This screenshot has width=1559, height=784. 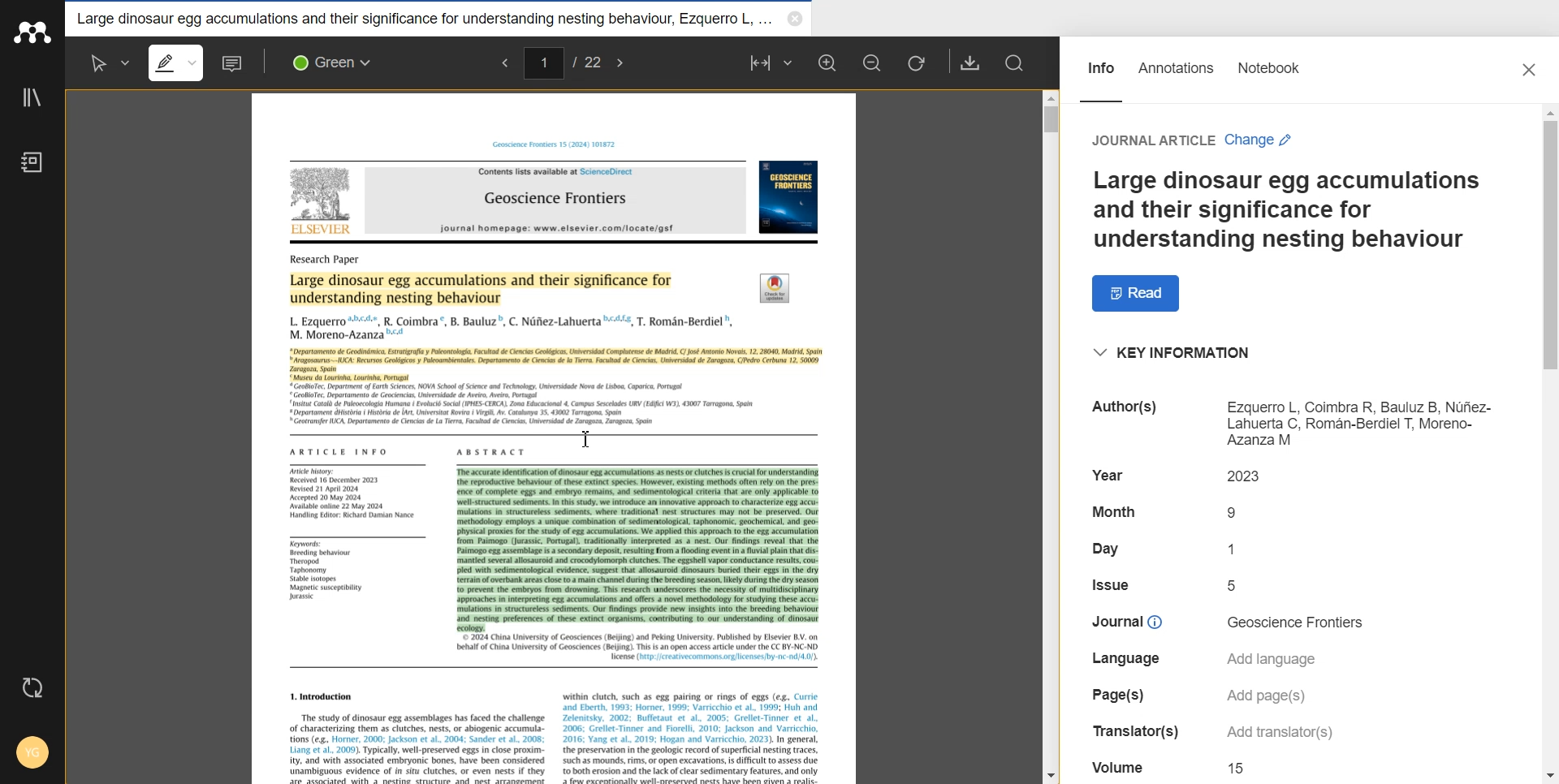 What do you see at coordinates (1250, 476) in the screenshot?
I see `text` at bounding box center [1250, 476].